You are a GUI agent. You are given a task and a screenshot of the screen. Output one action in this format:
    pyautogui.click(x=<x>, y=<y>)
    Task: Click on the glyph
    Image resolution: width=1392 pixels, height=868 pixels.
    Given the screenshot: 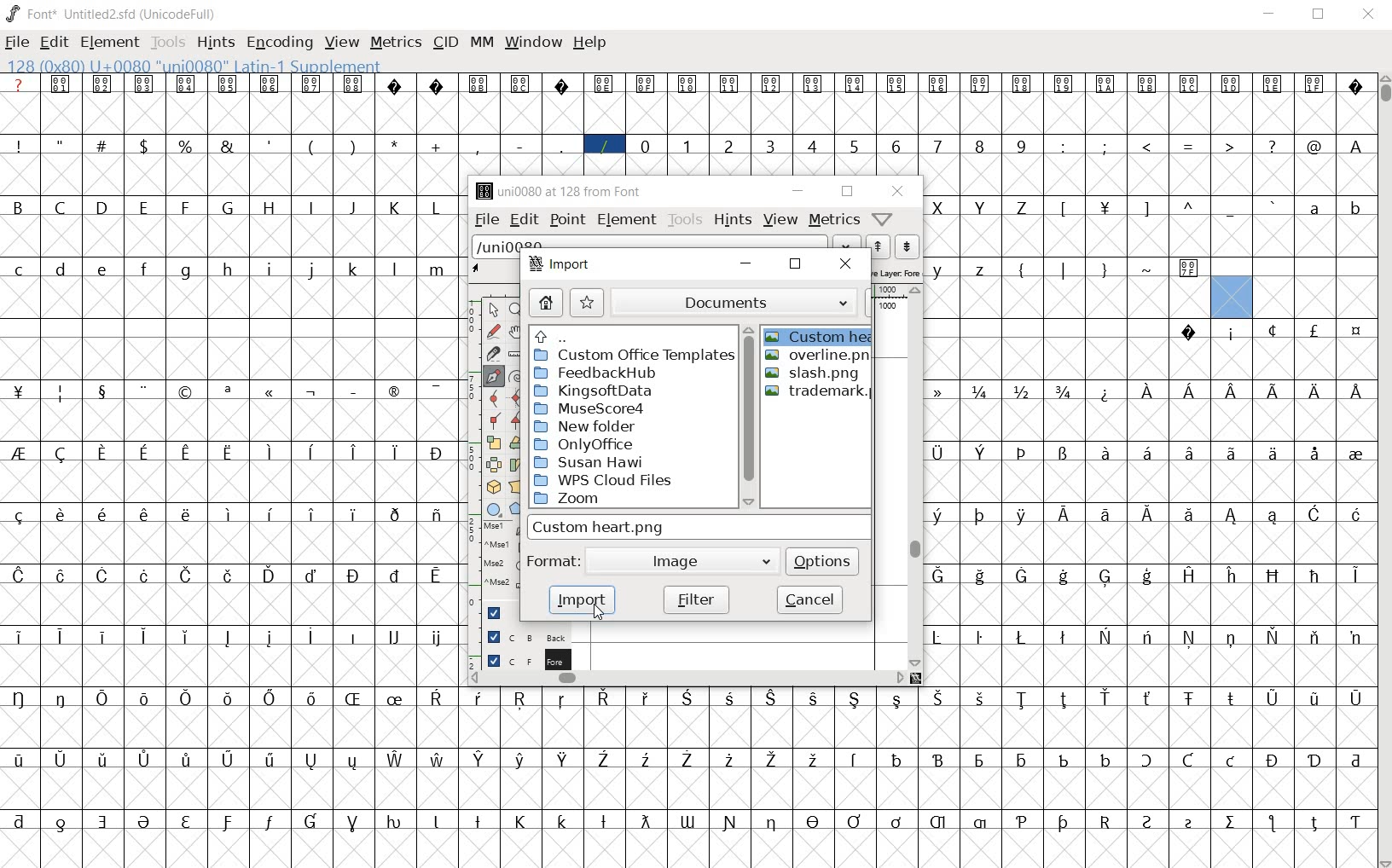 What is the action you would take?
    pyautogui.click(x=1188, y=333)
    